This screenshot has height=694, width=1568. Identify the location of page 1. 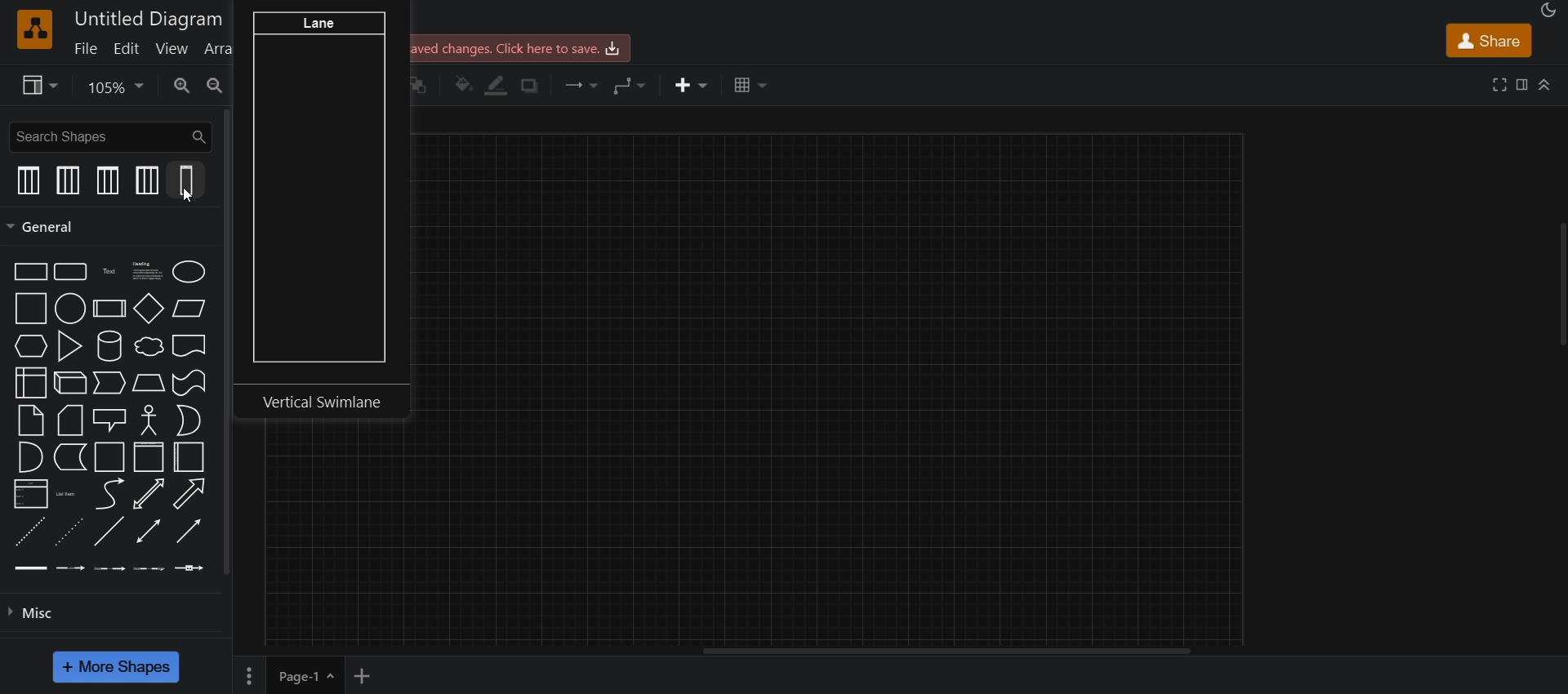
(287, 674).